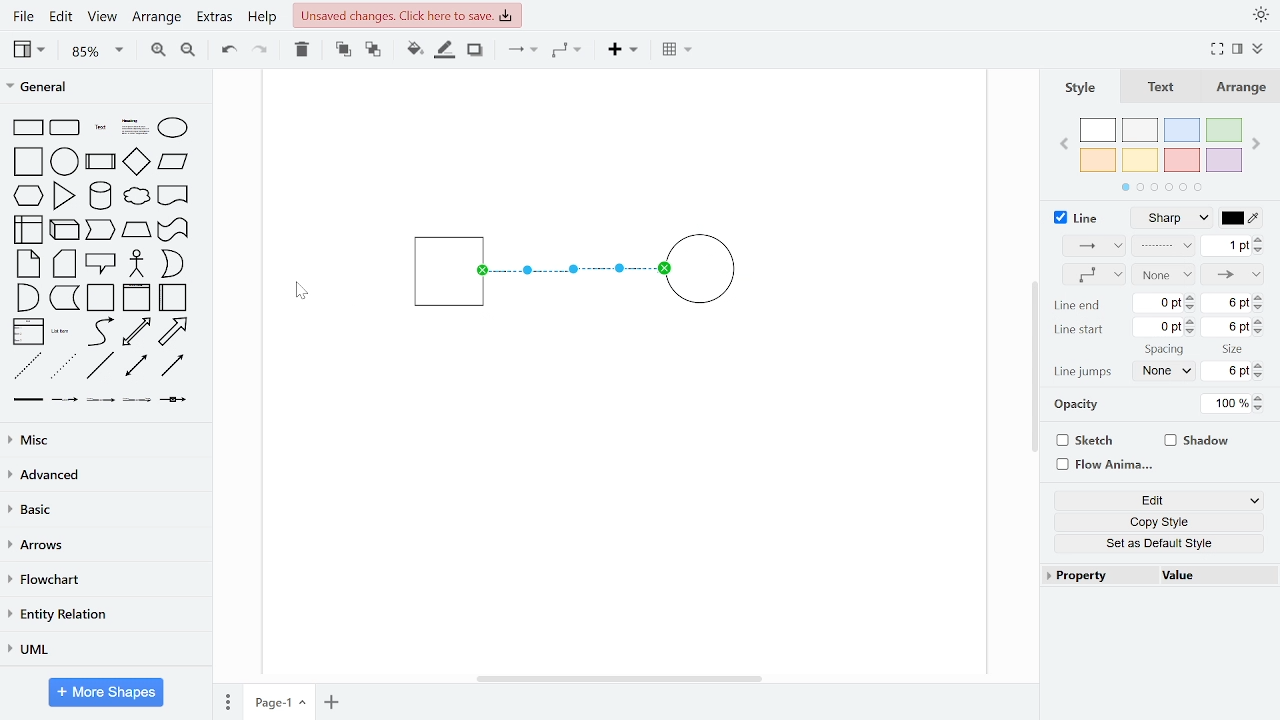 This screenshot has height=720, width=1280. Describe the element at coordinates (1198, 442) in the screenshot. I see `shadow` at that location.